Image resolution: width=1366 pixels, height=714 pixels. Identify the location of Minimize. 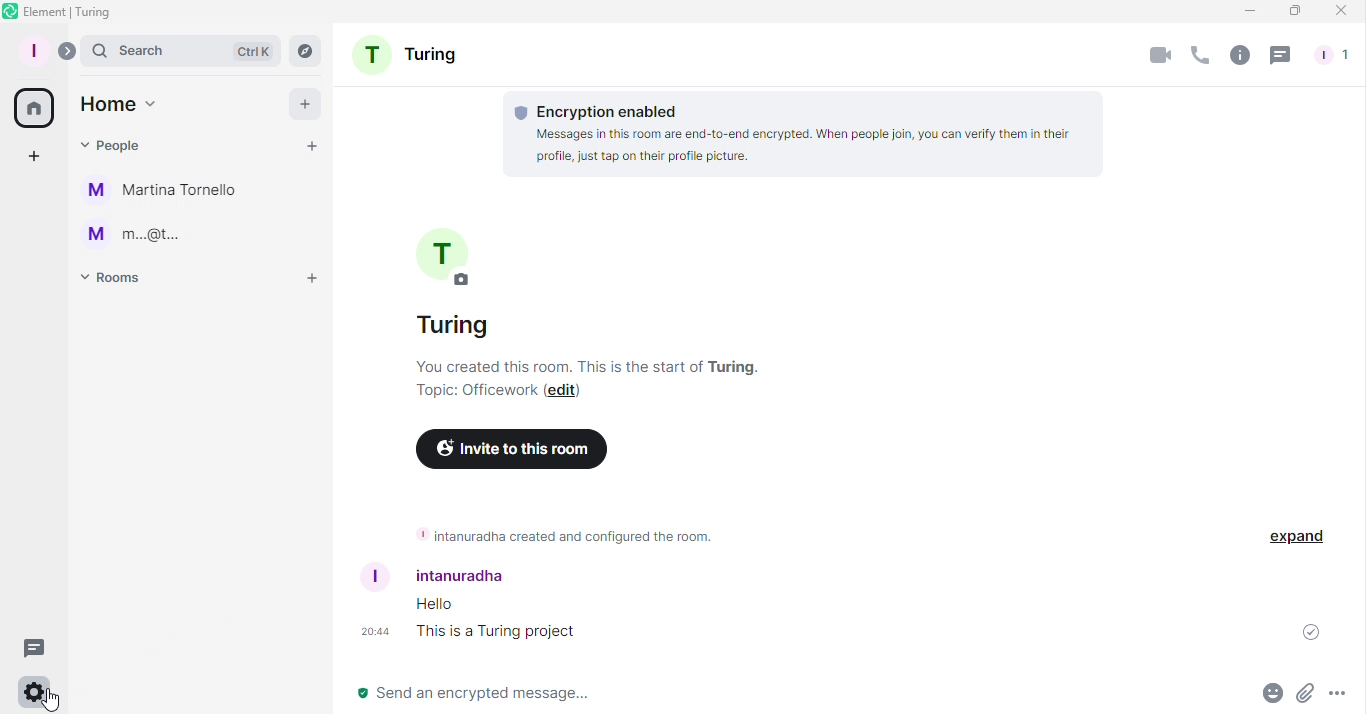
(1244, 13).